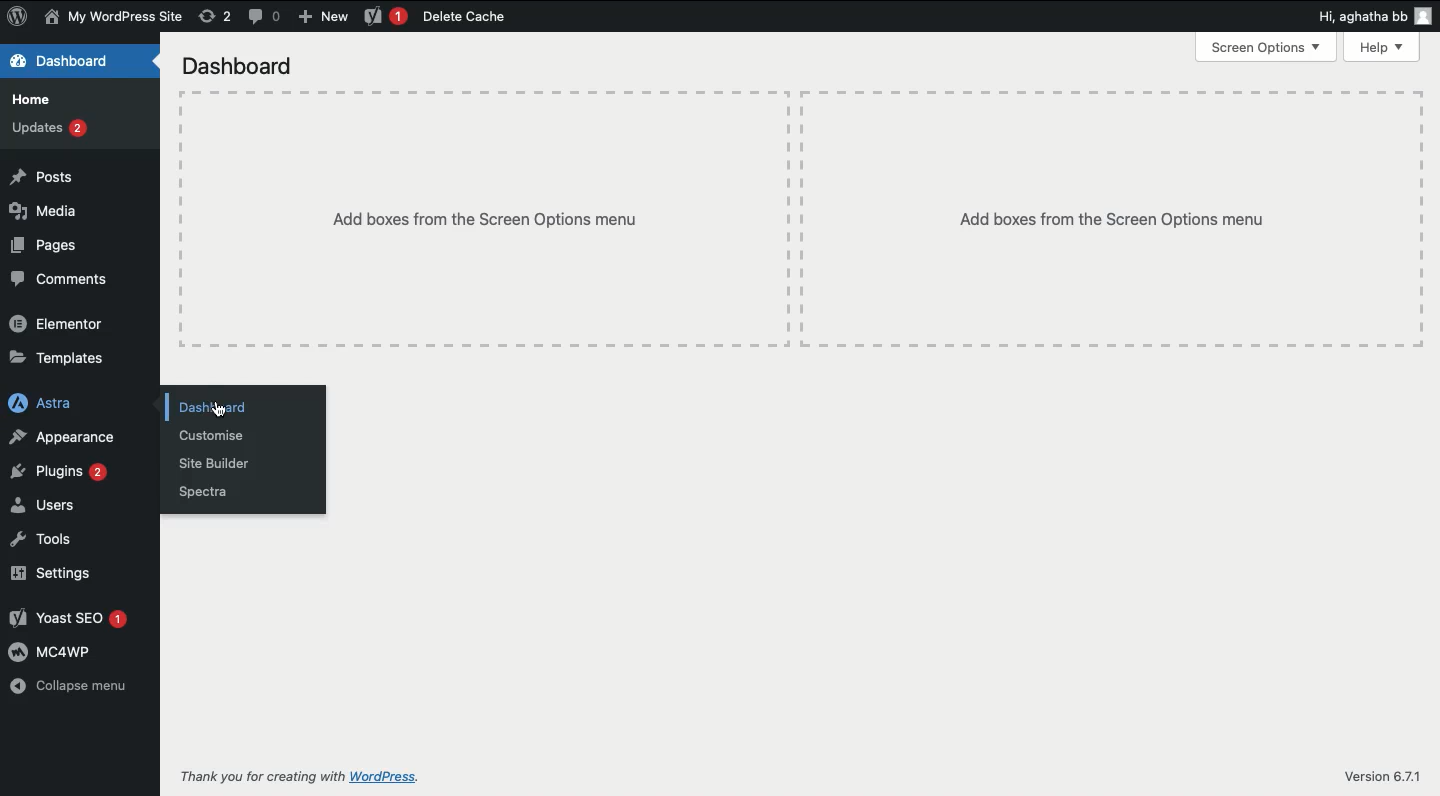 Image resolution: width=1440 pixels, height=796 pixels. Describe the element at coordinates (67, 437) in the screenshot. I see `Appearance` at that location.